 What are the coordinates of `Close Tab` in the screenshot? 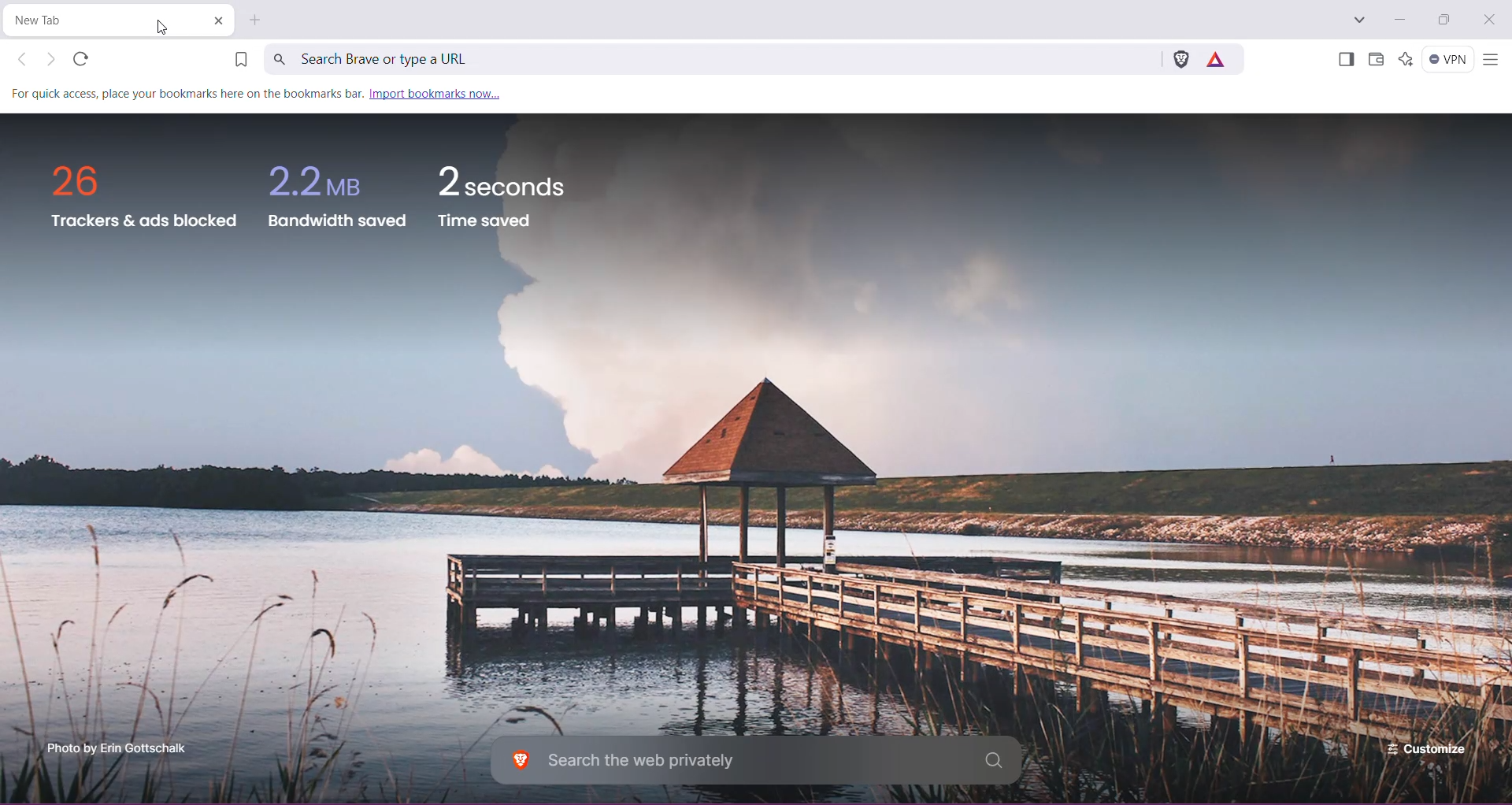 It's located at (215, 20).